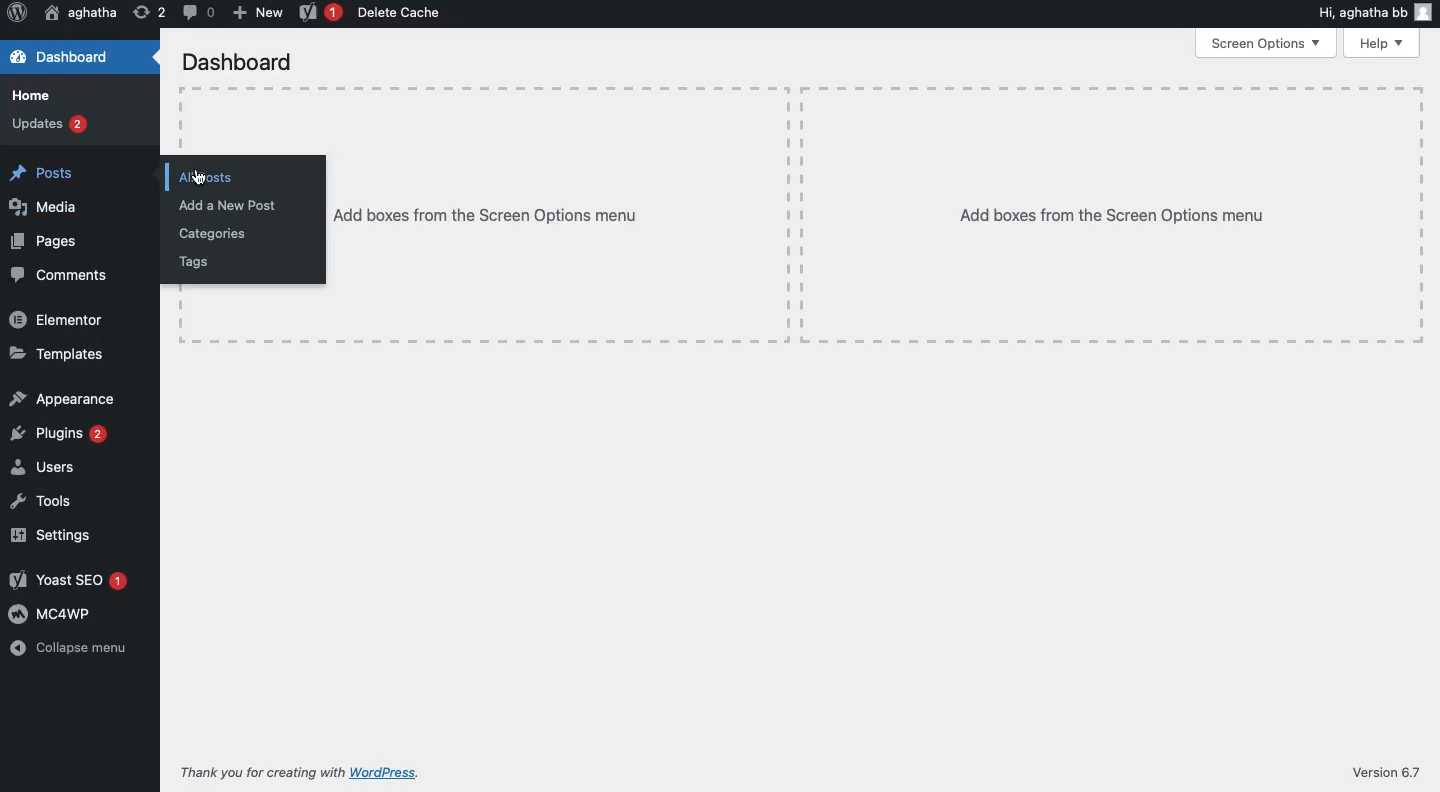 The image size is (1440, 792). I want to click on Tools, so click(43, 499).